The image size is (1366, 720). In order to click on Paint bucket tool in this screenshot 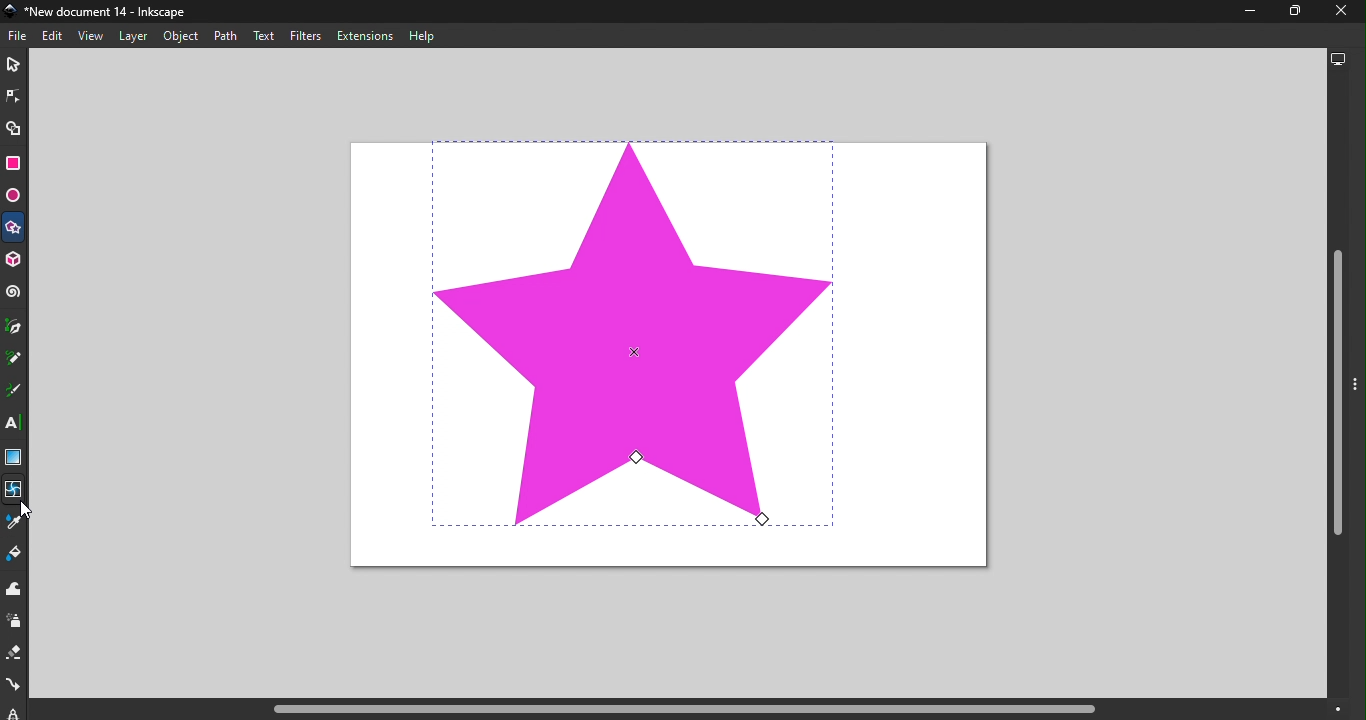, I will do `click(15, 557)`.